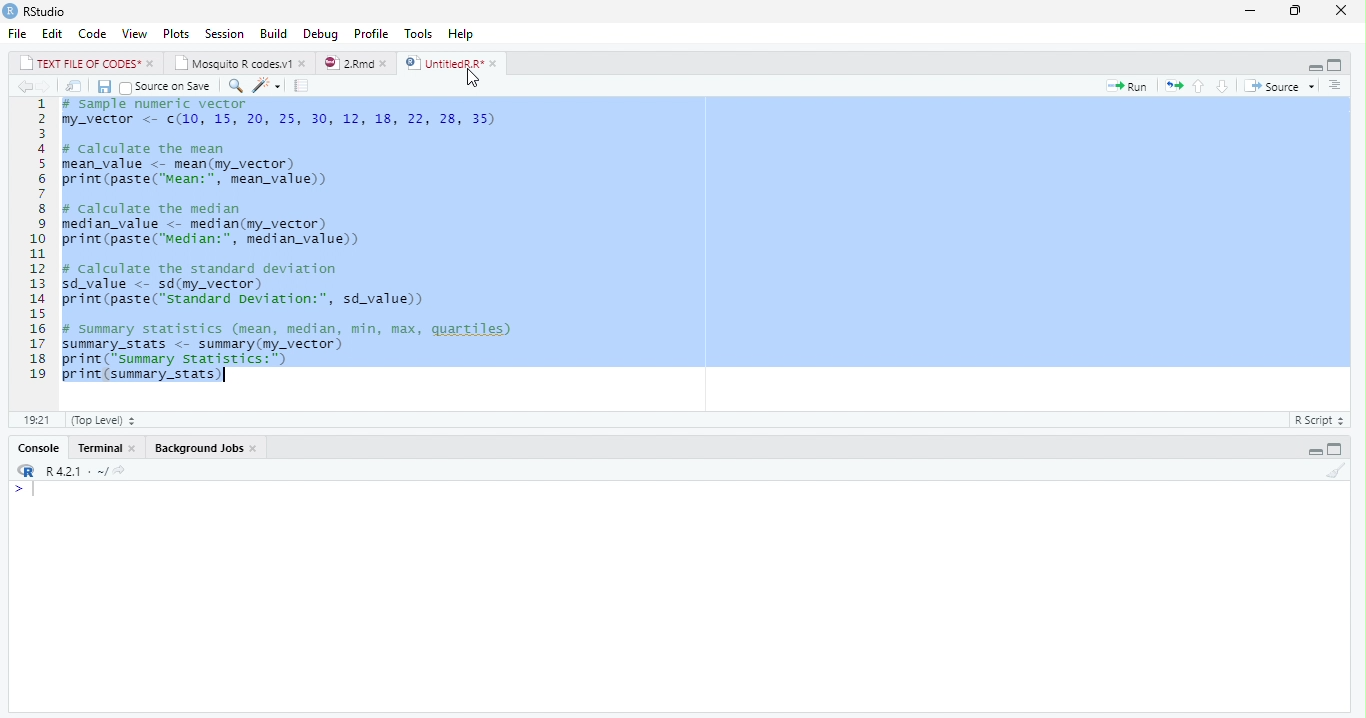 The width and height of the screenshot is (1366, 718). What do you see at coordinates (1336, 86) in the screenshot?
I see `show document outline` at bounding box center [1336, 86].